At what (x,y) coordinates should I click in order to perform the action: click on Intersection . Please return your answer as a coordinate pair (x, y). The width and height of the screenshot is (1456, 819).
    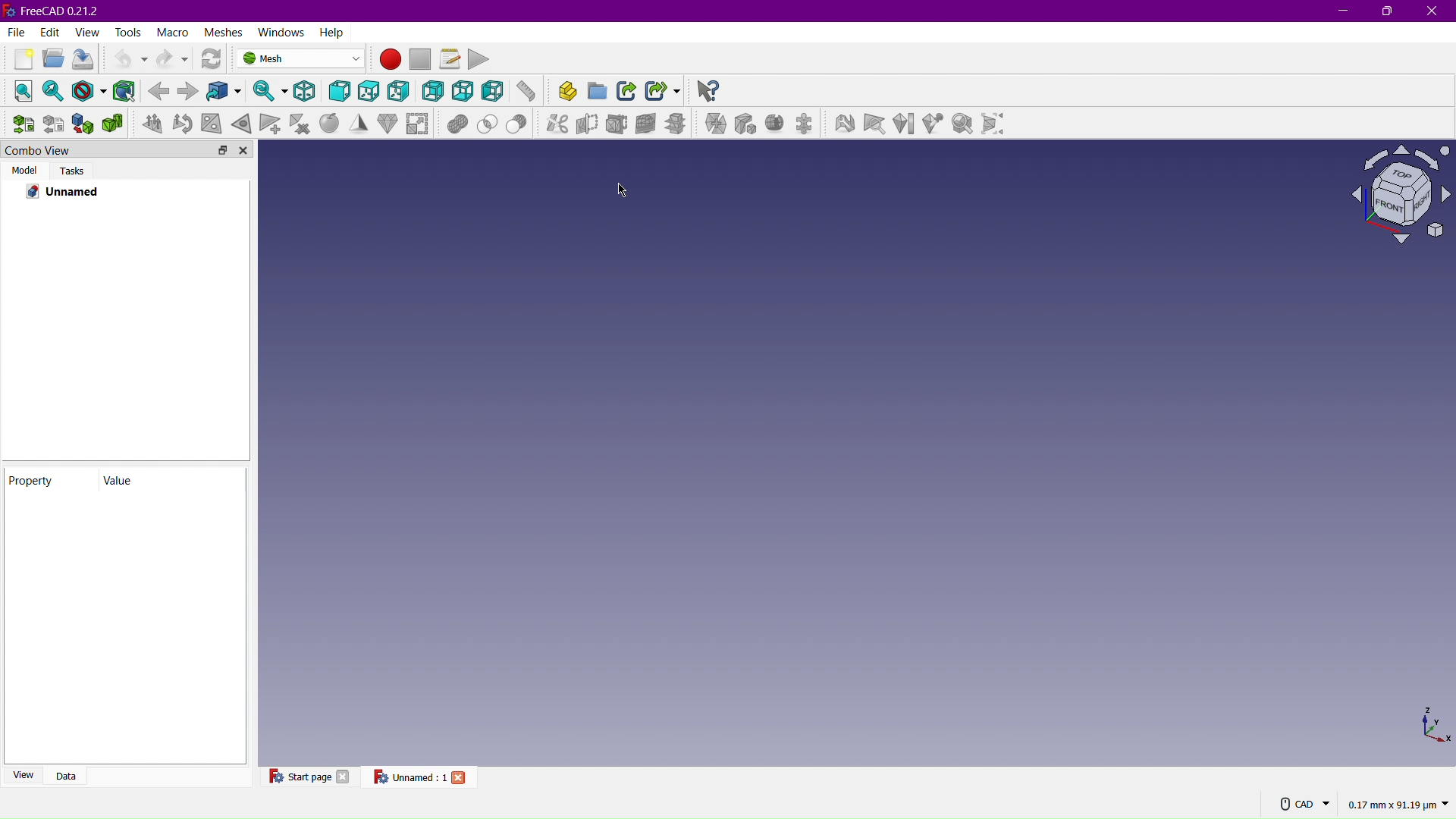
    Looking at the image, I should click on (488, 122).